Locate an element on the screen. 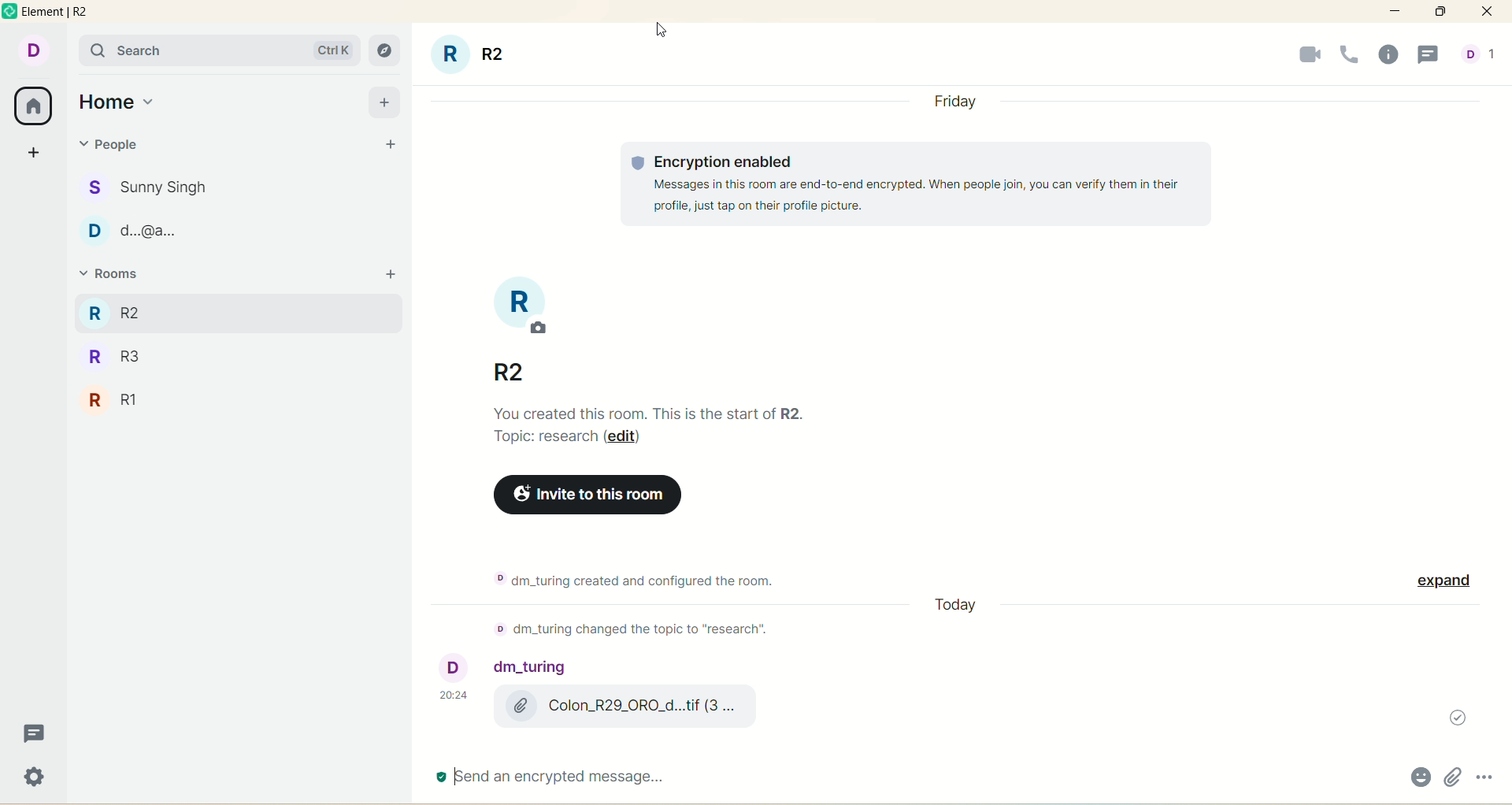   is located at coordinates (618, 629).